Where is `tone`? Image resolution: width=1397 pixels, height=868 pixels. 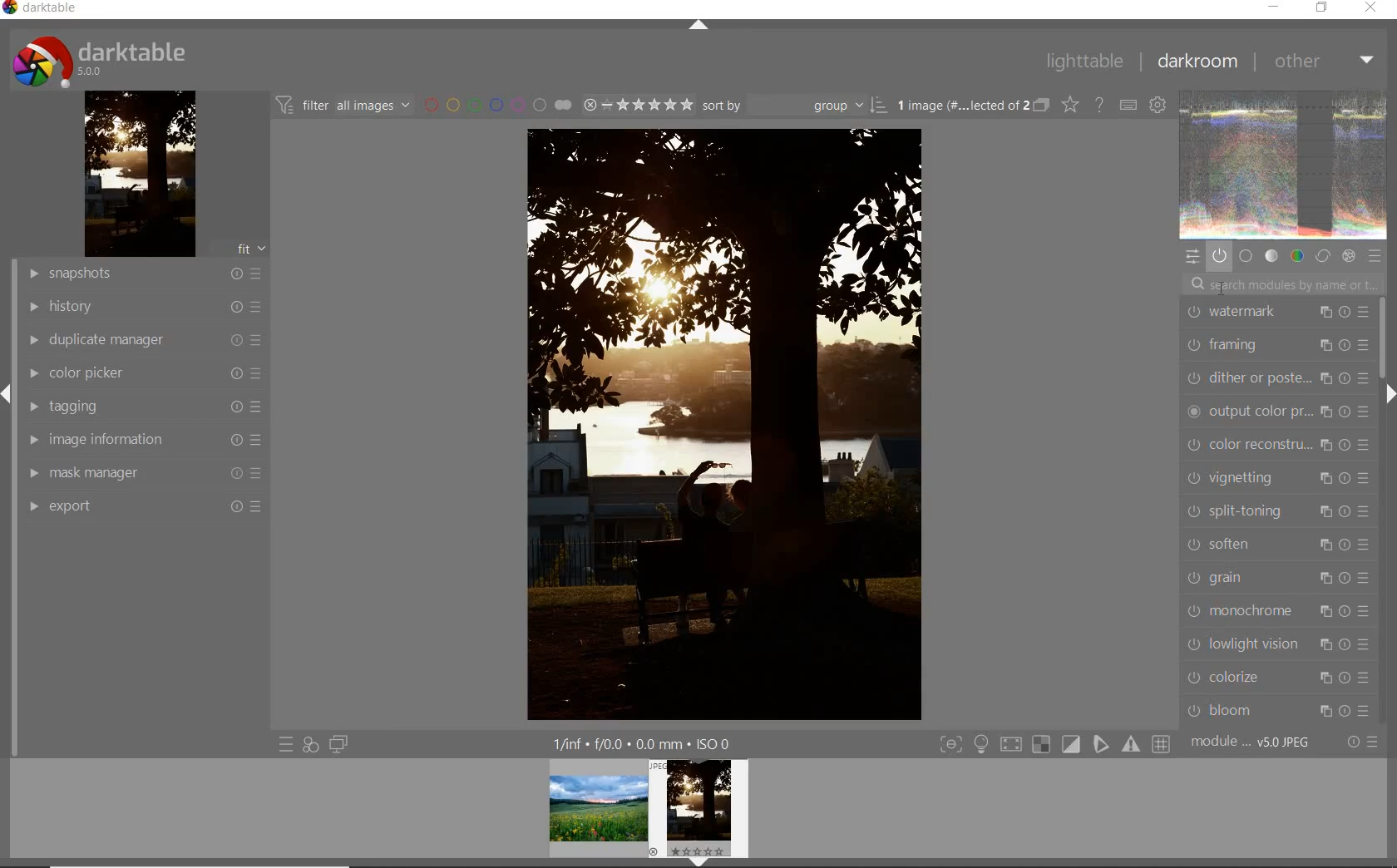 tone is located at coordinates (1272, 254).